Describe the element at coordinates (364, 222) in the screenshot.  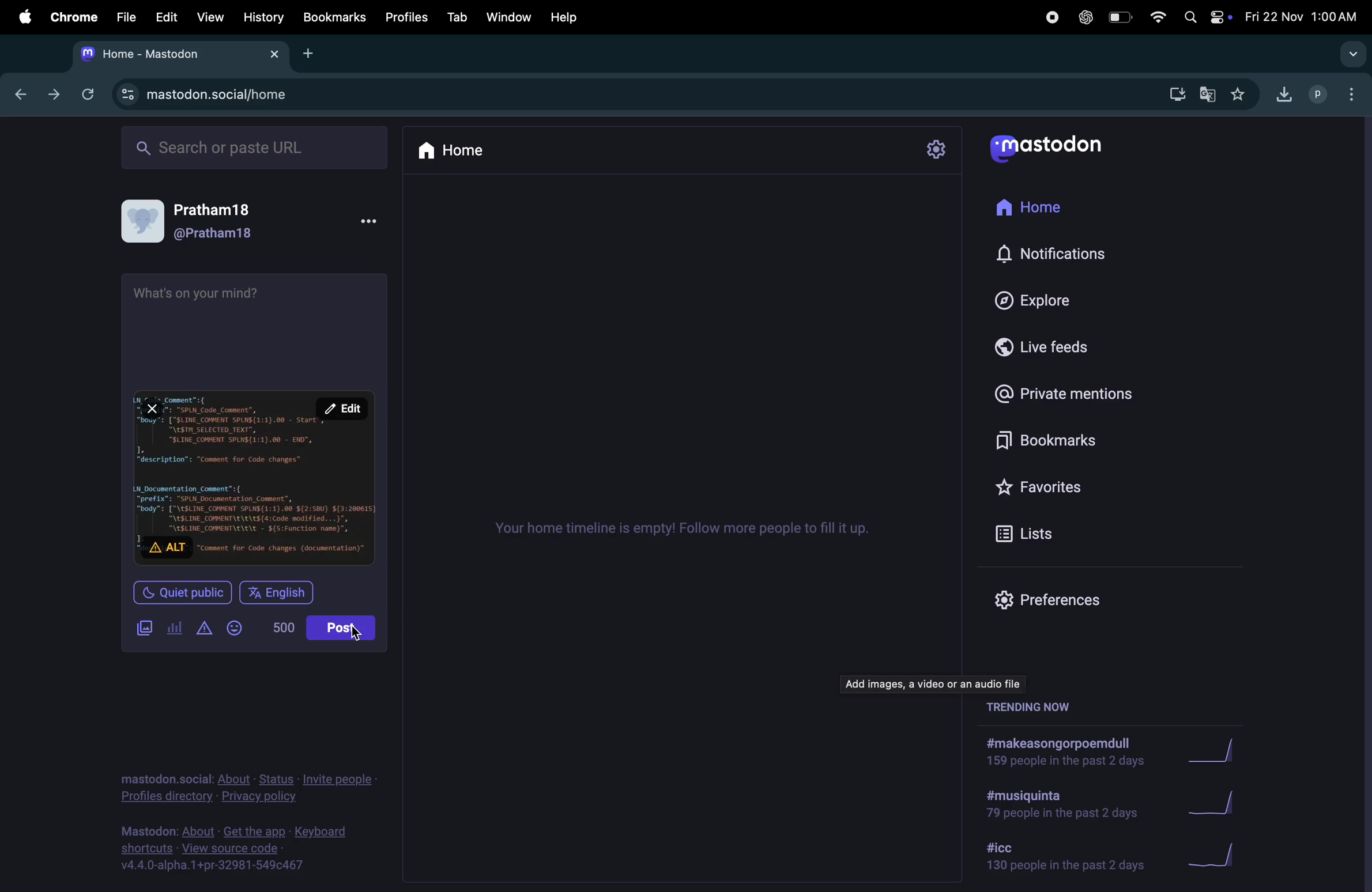
I see `more options` at that location.